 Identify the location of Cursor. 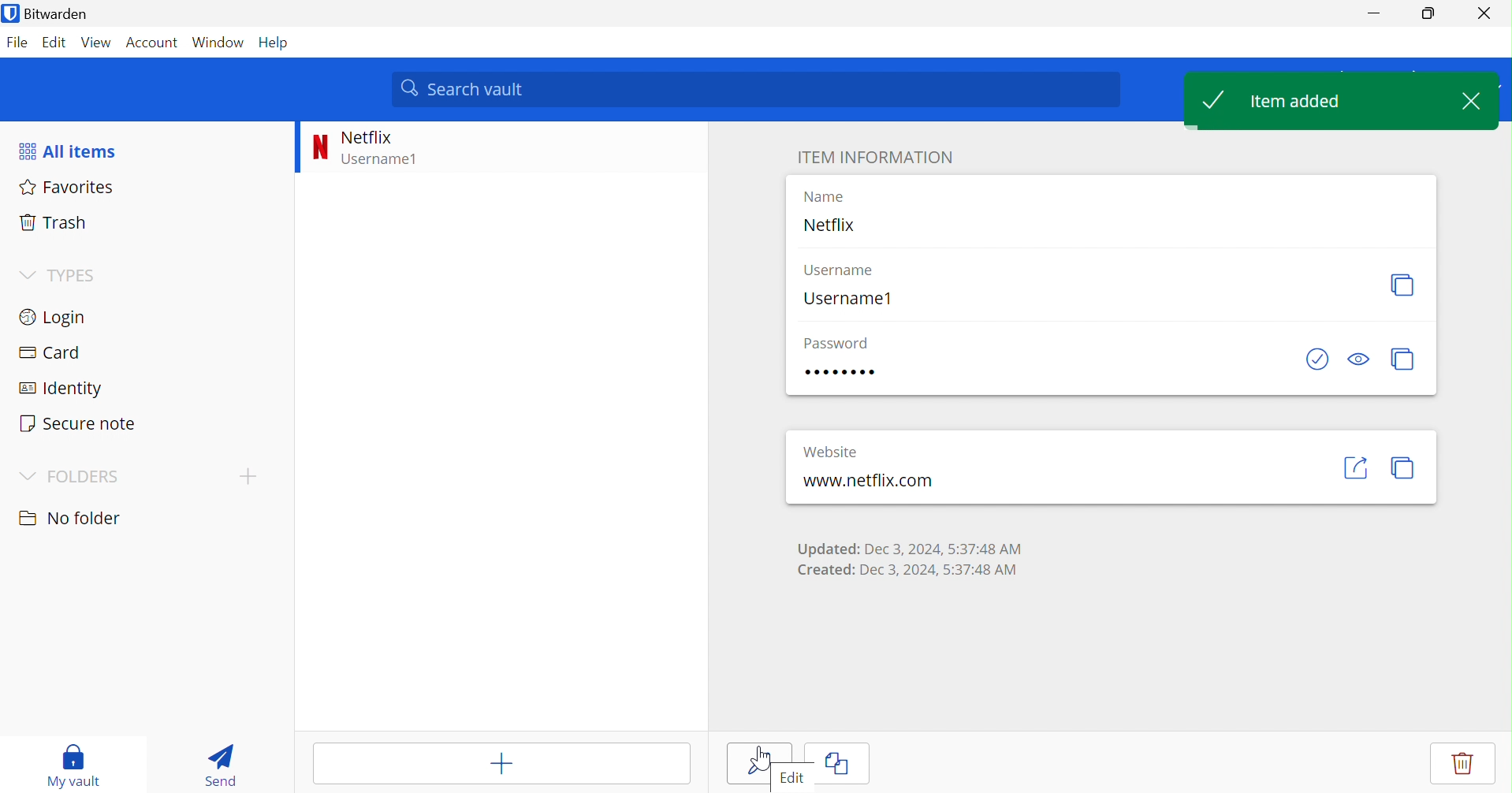
(760, 757).